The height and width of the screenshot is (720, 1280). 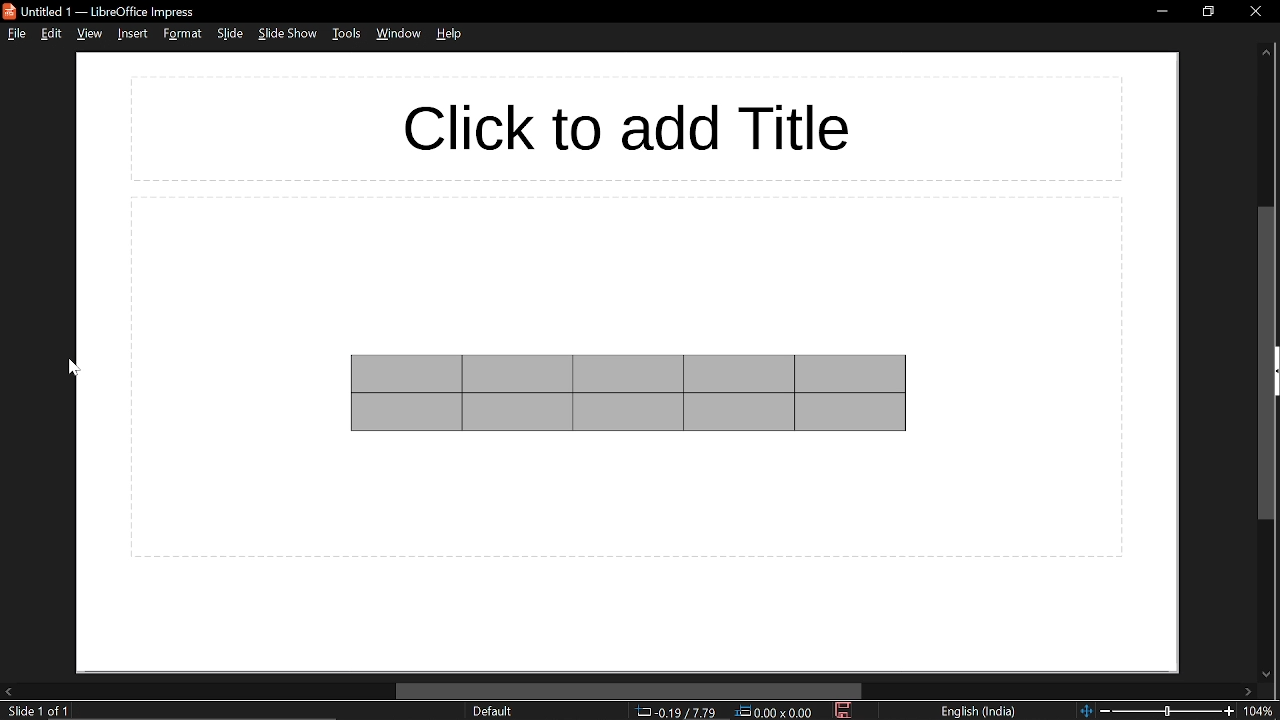 I want to click on file, so click(x=17, y=34).